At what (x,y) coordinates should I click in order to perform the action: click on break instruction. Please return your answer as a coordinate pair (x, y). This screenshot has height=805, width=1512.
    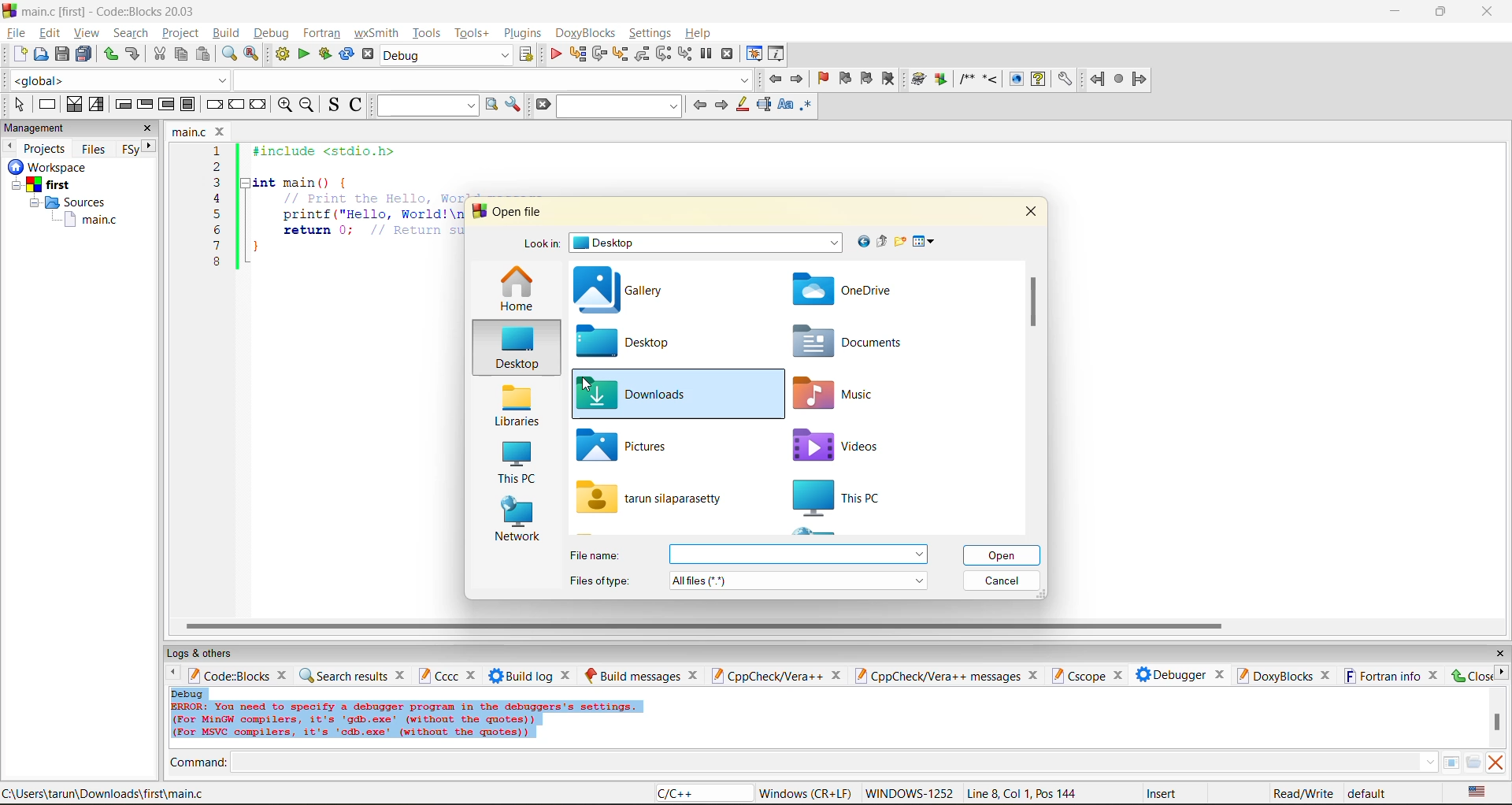
    Looking at the image, I should click on (212, 104).